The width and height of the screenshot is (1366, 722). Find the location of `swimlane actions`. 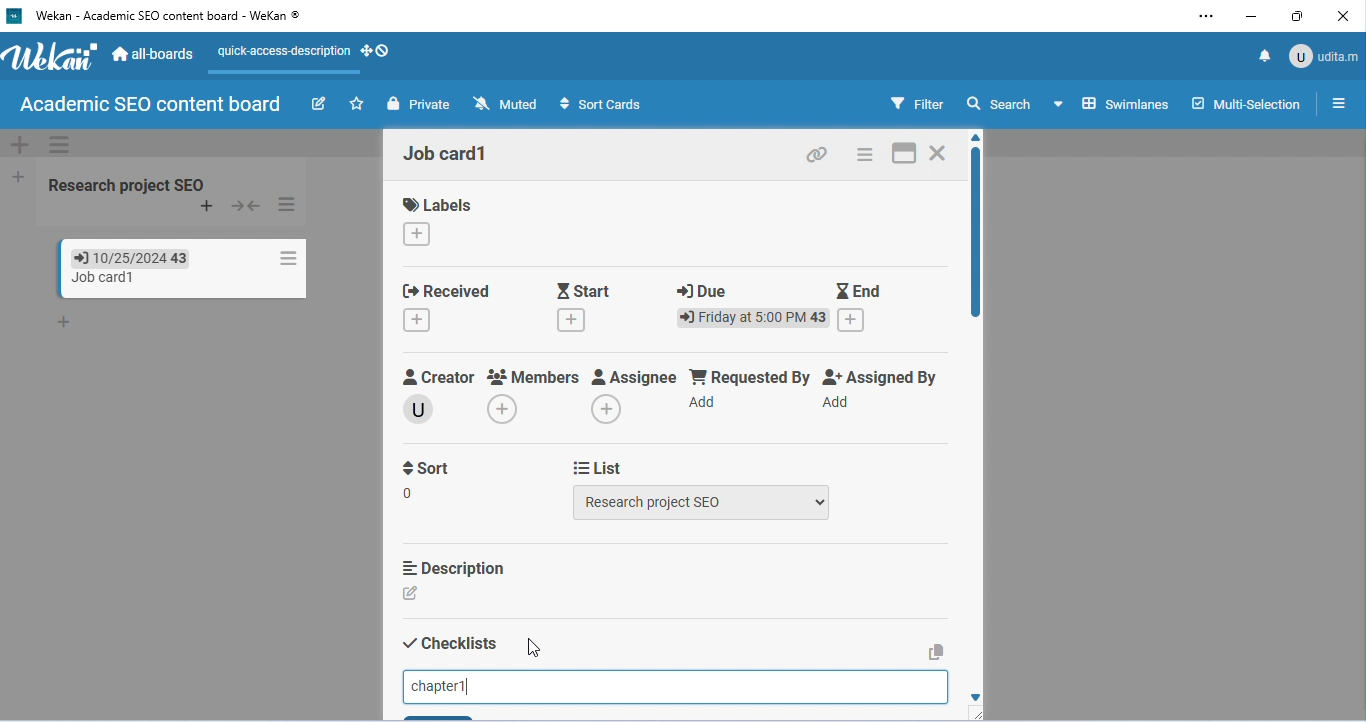

swimlane actions is located at coordinates (61, 144).